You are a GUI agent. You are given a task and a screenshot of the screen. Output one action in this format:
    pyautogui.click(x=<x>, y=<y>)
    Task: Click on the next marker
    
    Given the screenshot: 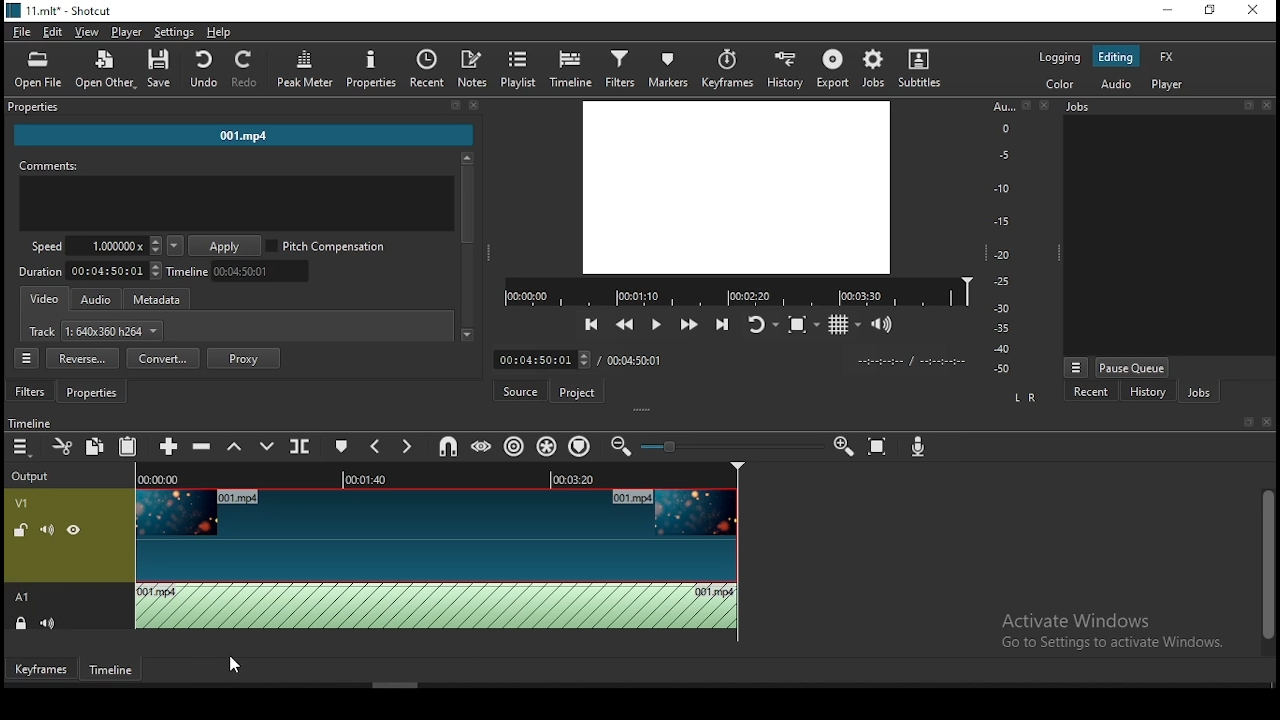 What is the action you would take?
    pyautogui.click(x=409, y=446)
    